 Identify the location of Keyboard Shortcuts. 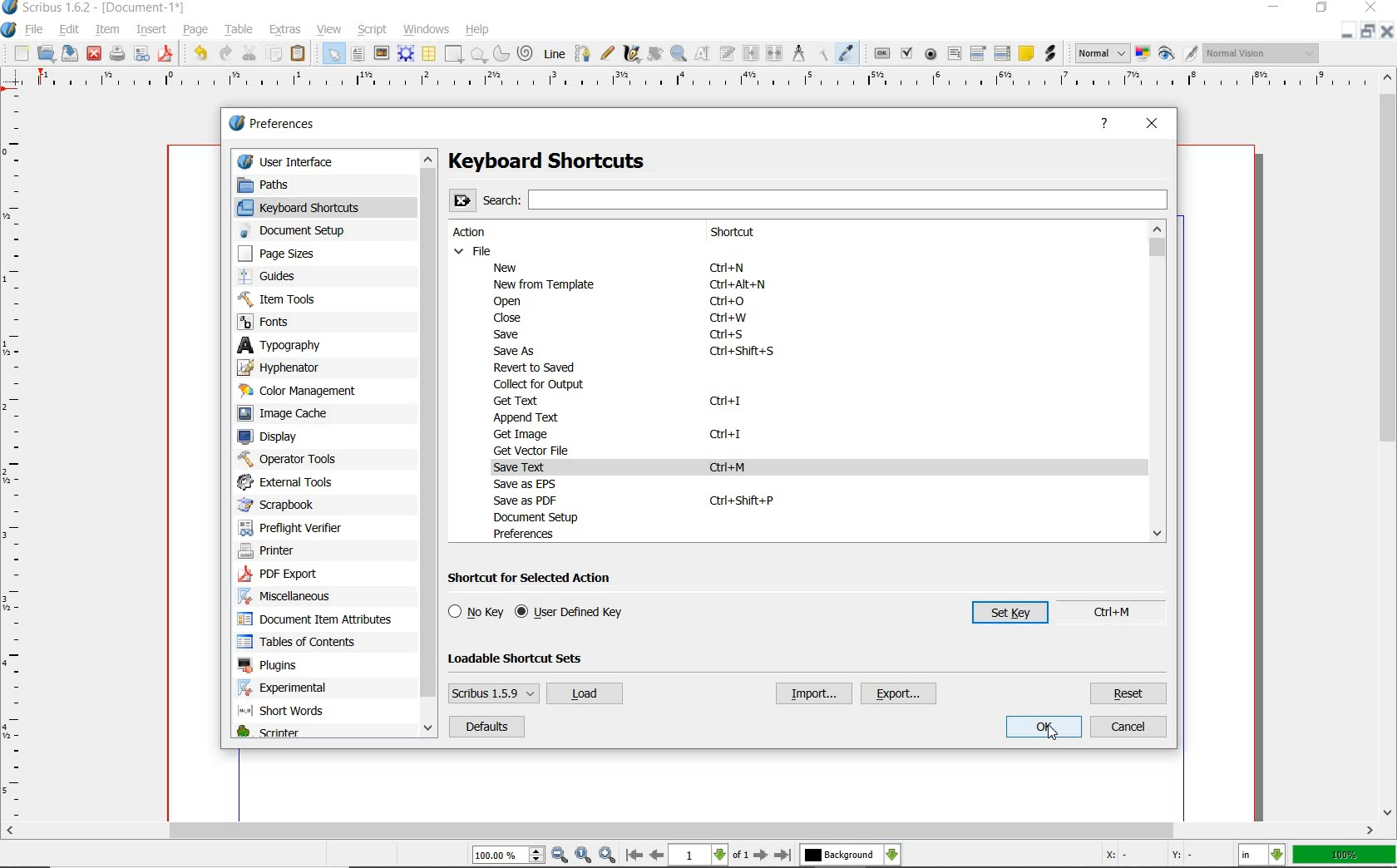
(580, 161).